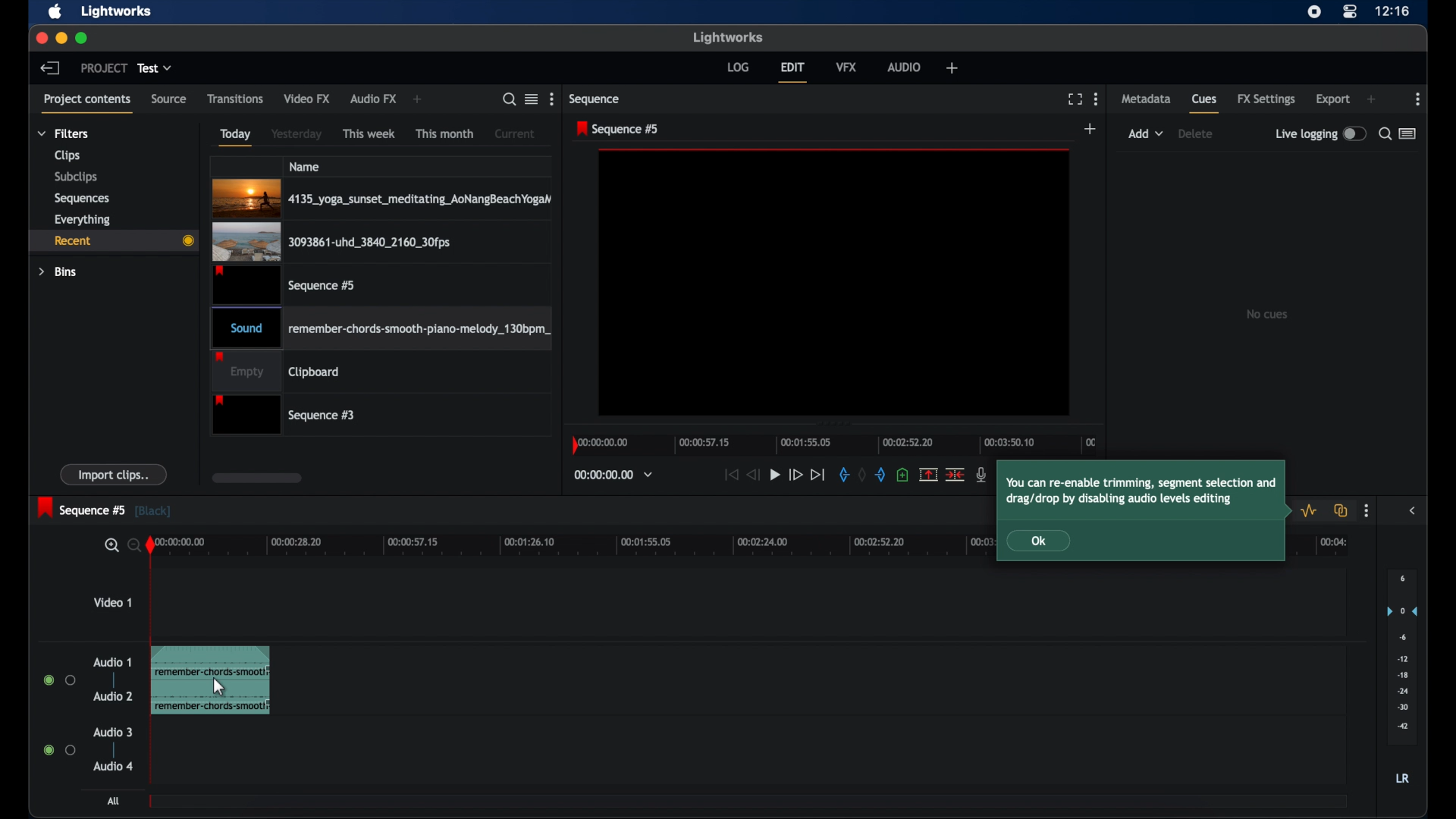  Describe the element at coordinates (1384, 133) in the screenshot. I see `search` at that location.